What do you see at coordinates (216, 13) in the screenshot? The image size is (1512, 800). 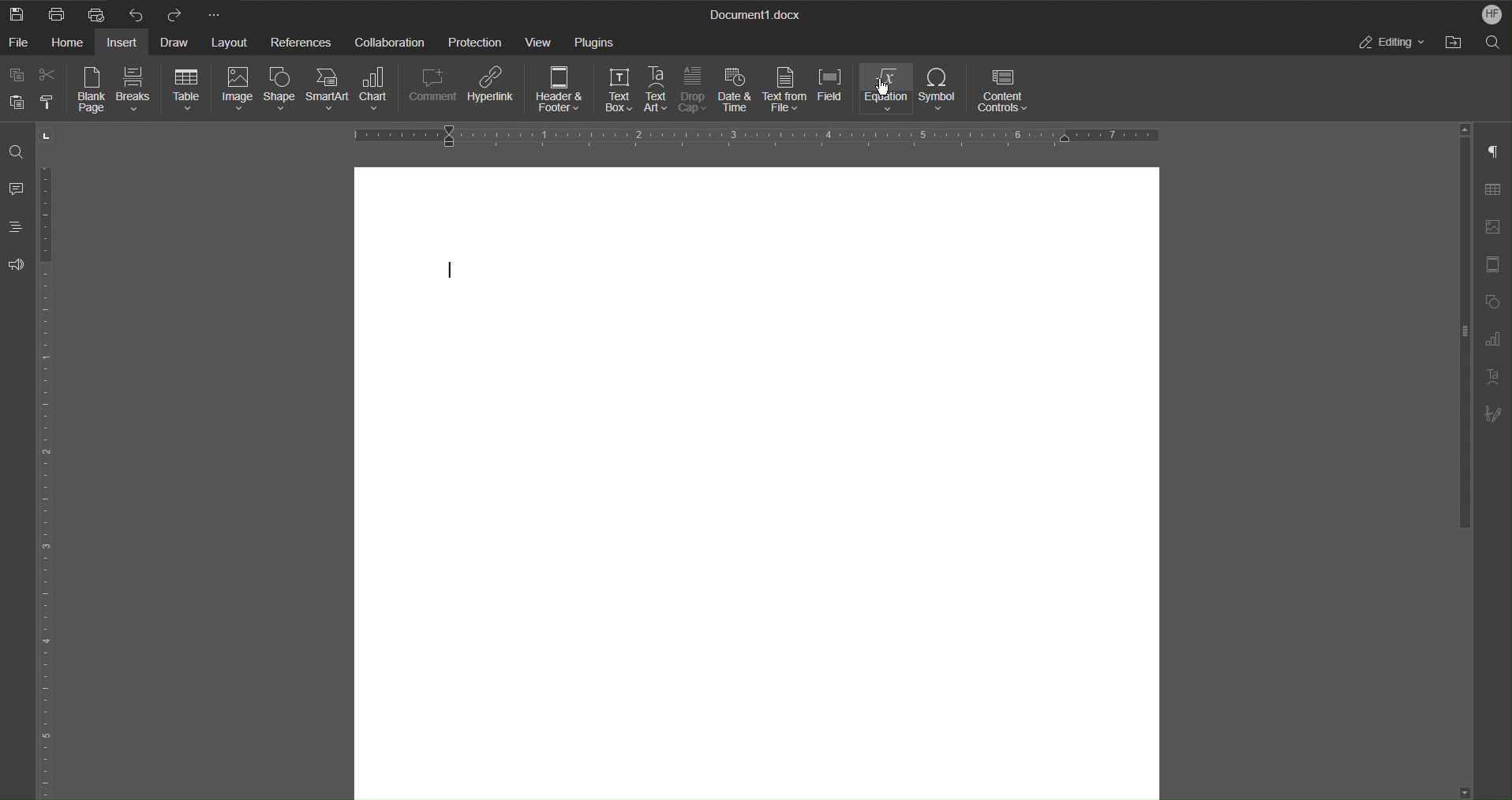 I see `More` at bounding box center [216, 13].